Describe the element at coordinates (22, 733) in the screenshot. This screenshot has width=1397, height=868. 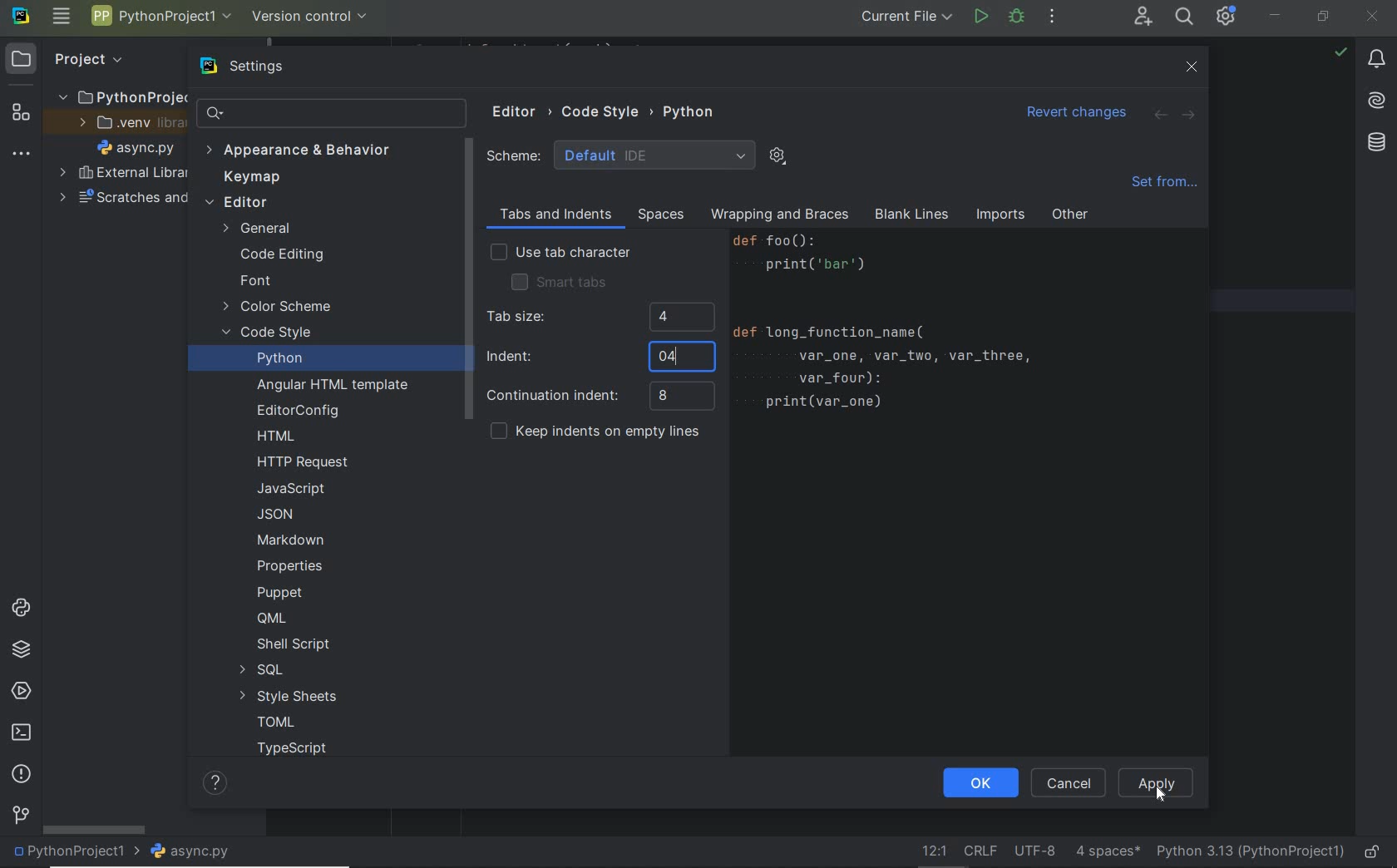
I see `terminal` at that location.